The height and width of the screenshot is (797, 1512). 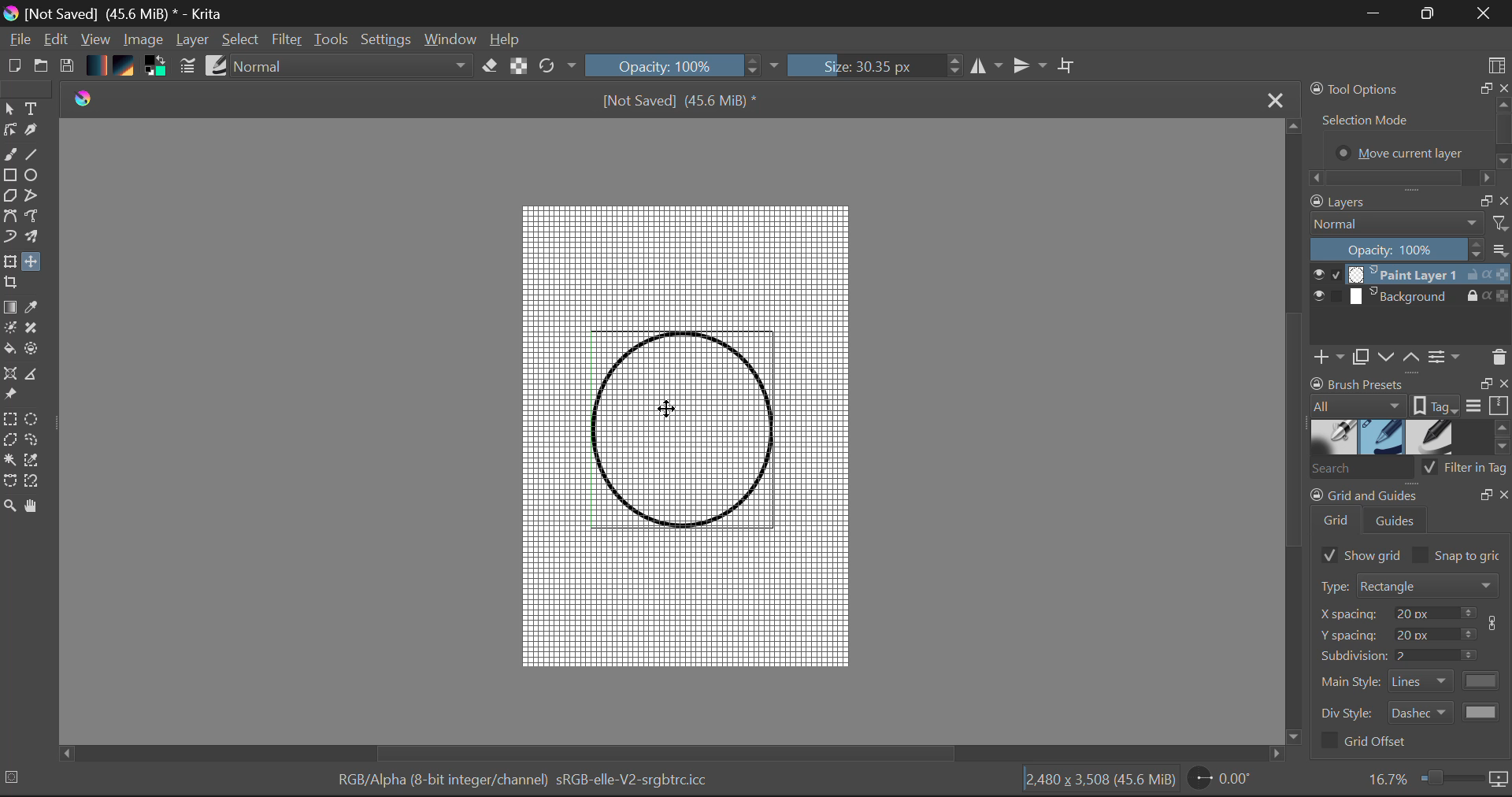 What do you see at coordinates (531, 783) in the screenshot?
I see `Color Information` at bounding box center [531, 783].